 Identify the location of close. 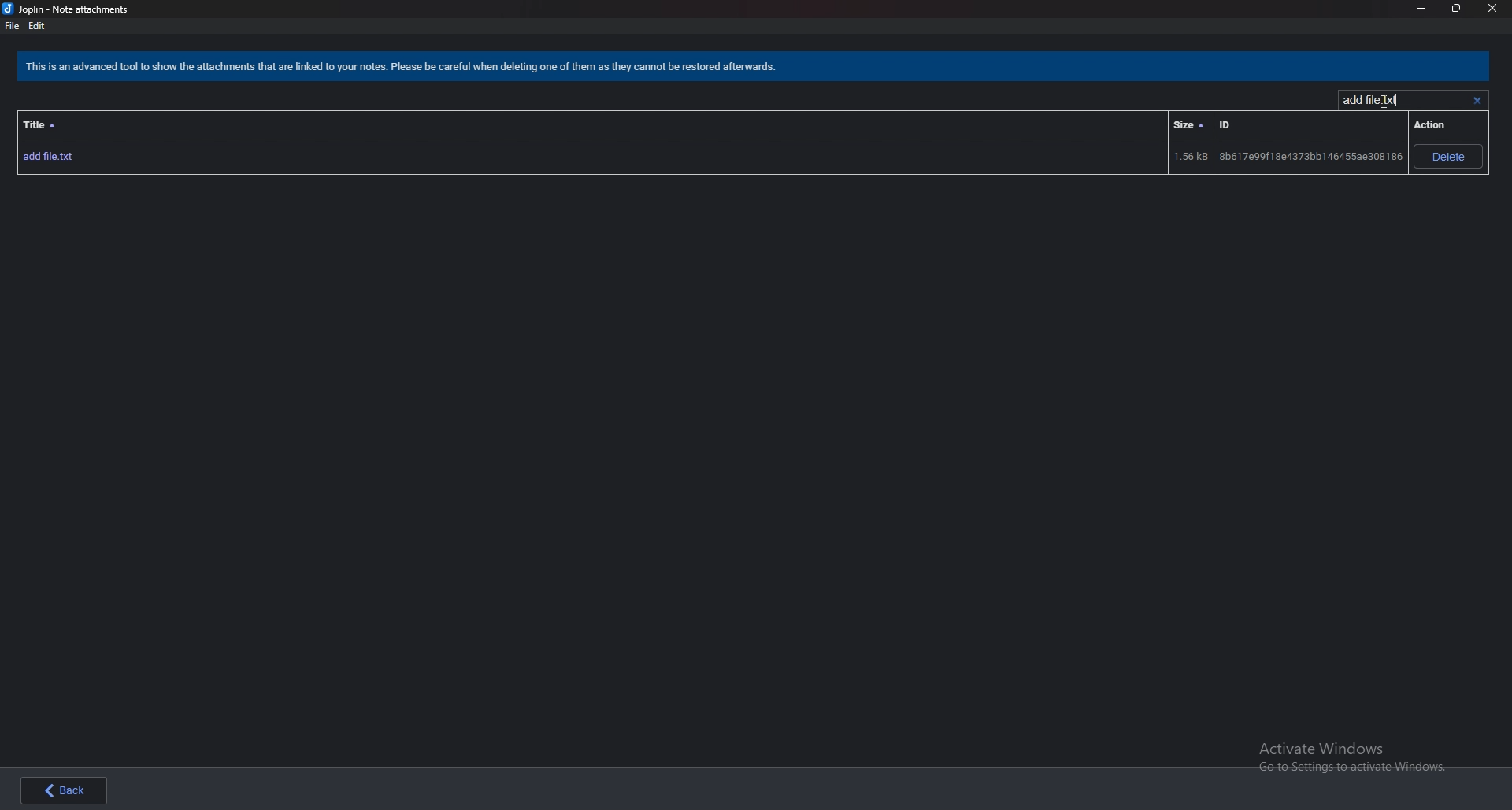
(1492, 9).